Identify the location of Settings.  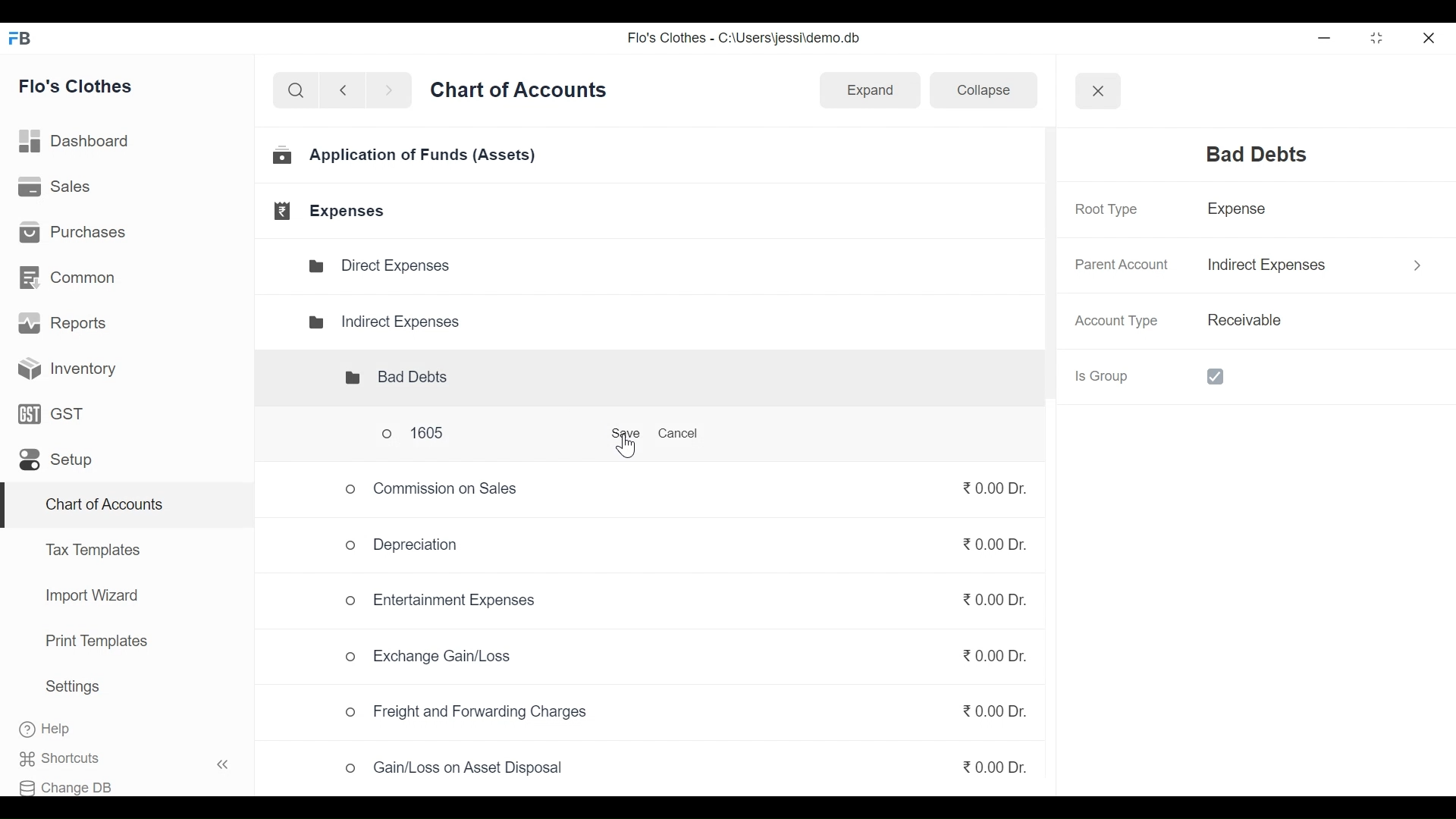
(72, 689).